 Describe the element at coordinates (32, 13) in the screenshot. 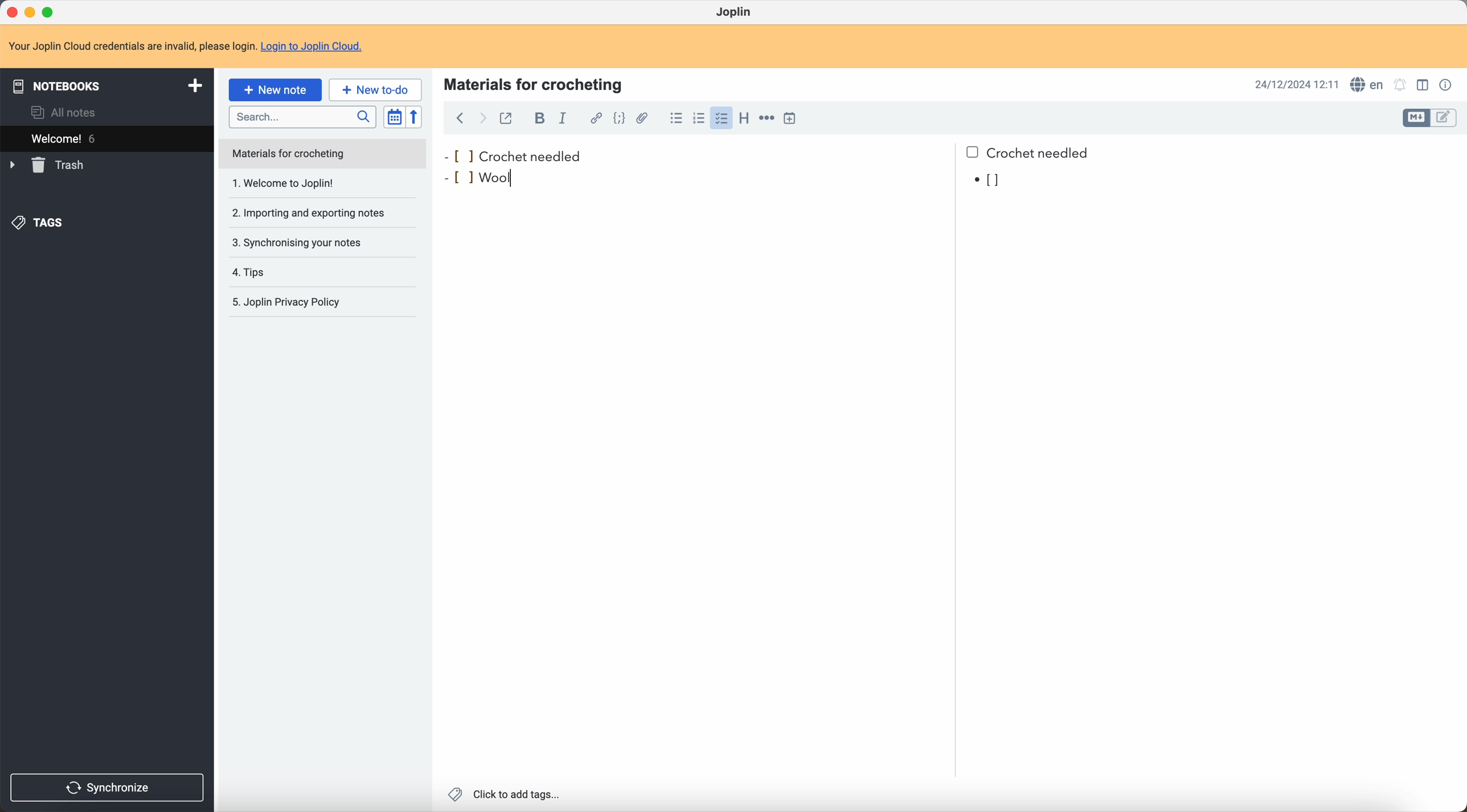

I see `minimize` at that location.